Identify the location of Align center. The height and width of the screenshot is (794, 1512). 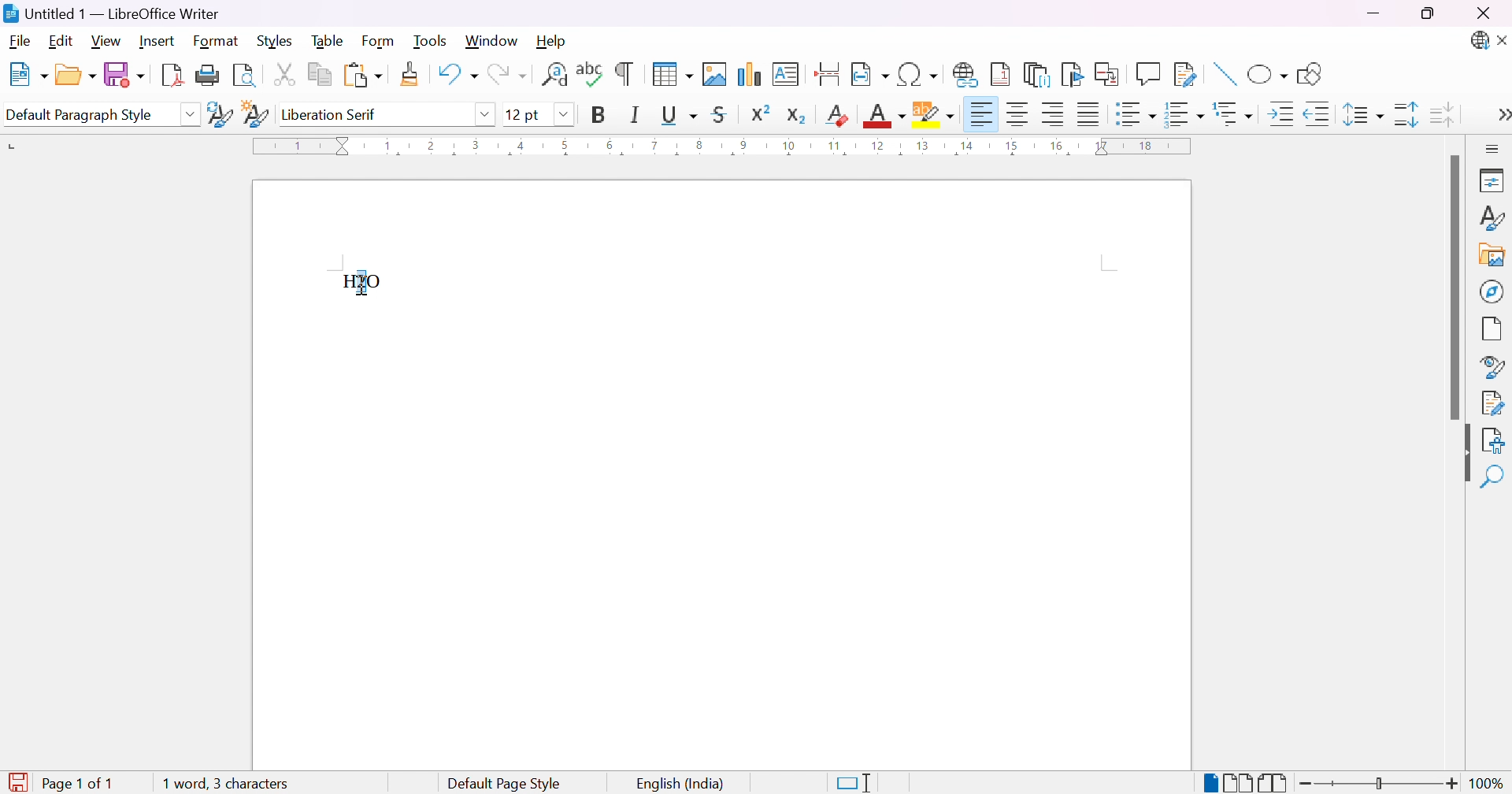
(1020, 114).